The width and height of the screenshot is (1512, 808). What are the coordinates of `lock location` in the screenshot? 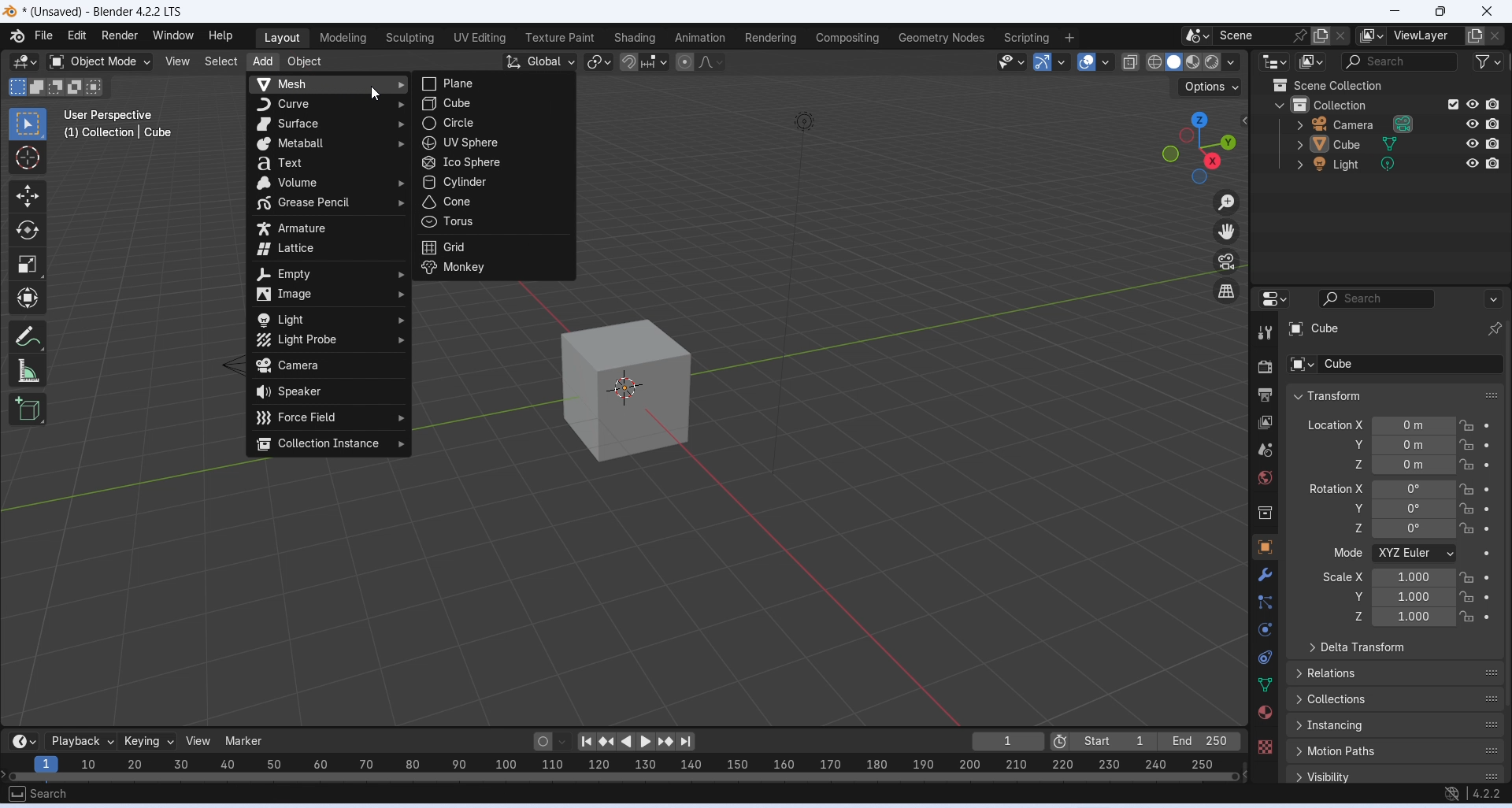 It's located at (1466, 445).